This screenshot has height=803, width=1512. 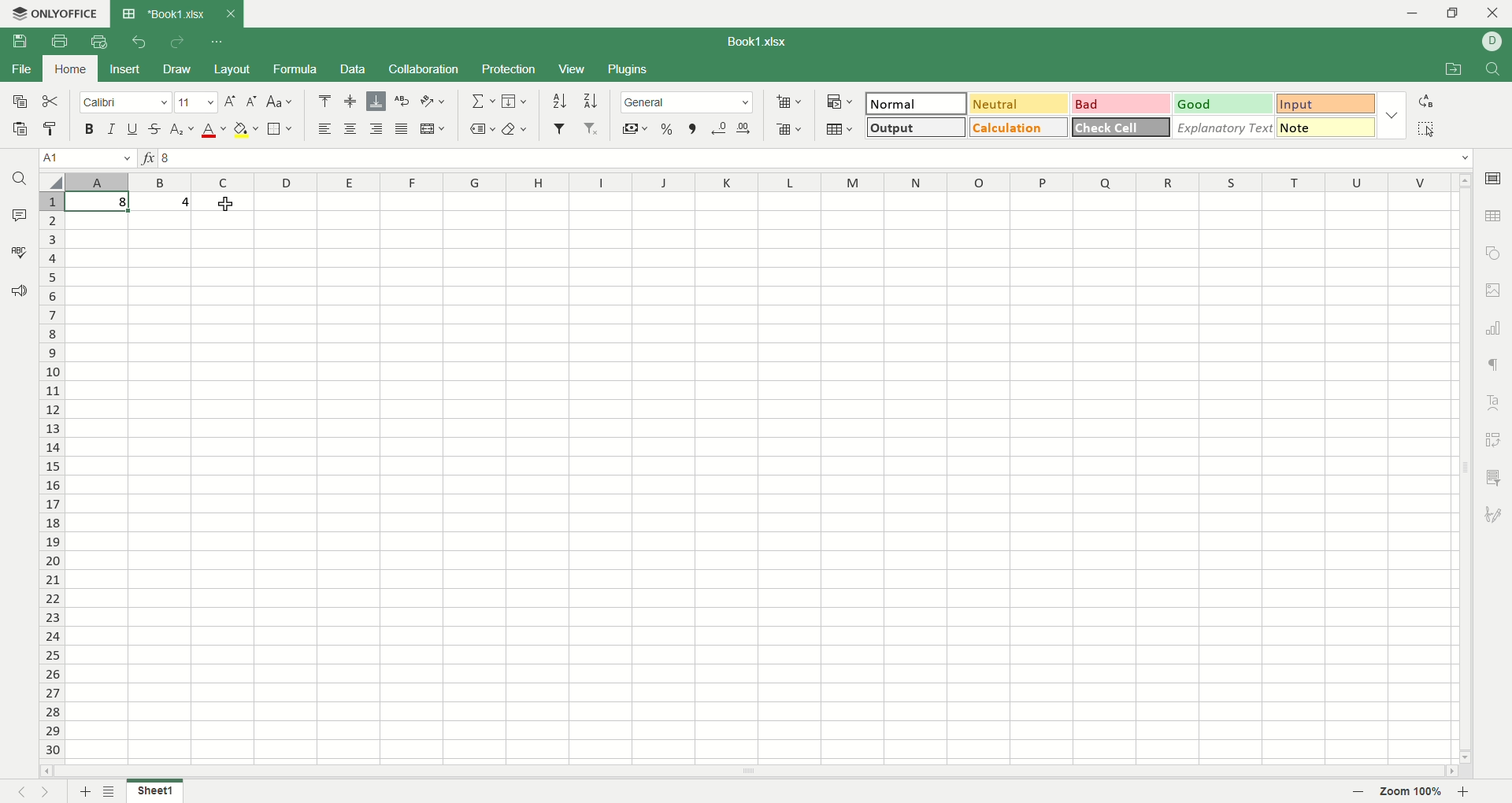 What do you see at coordinates (148, 158) in the screenshot?
I see `insert function` at bounding box center [148, 158].